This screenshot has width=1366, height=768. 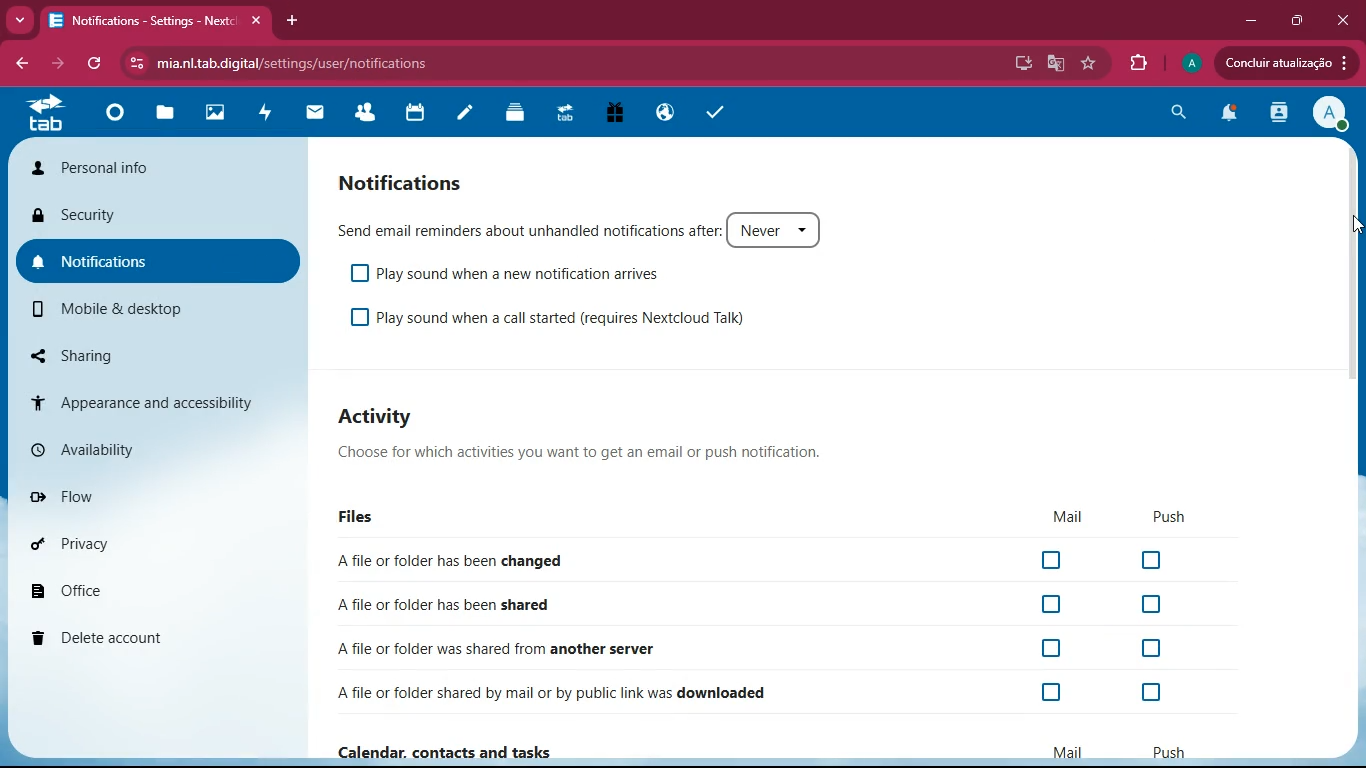 I want to click on desktop, so click(x=1019, y=63).